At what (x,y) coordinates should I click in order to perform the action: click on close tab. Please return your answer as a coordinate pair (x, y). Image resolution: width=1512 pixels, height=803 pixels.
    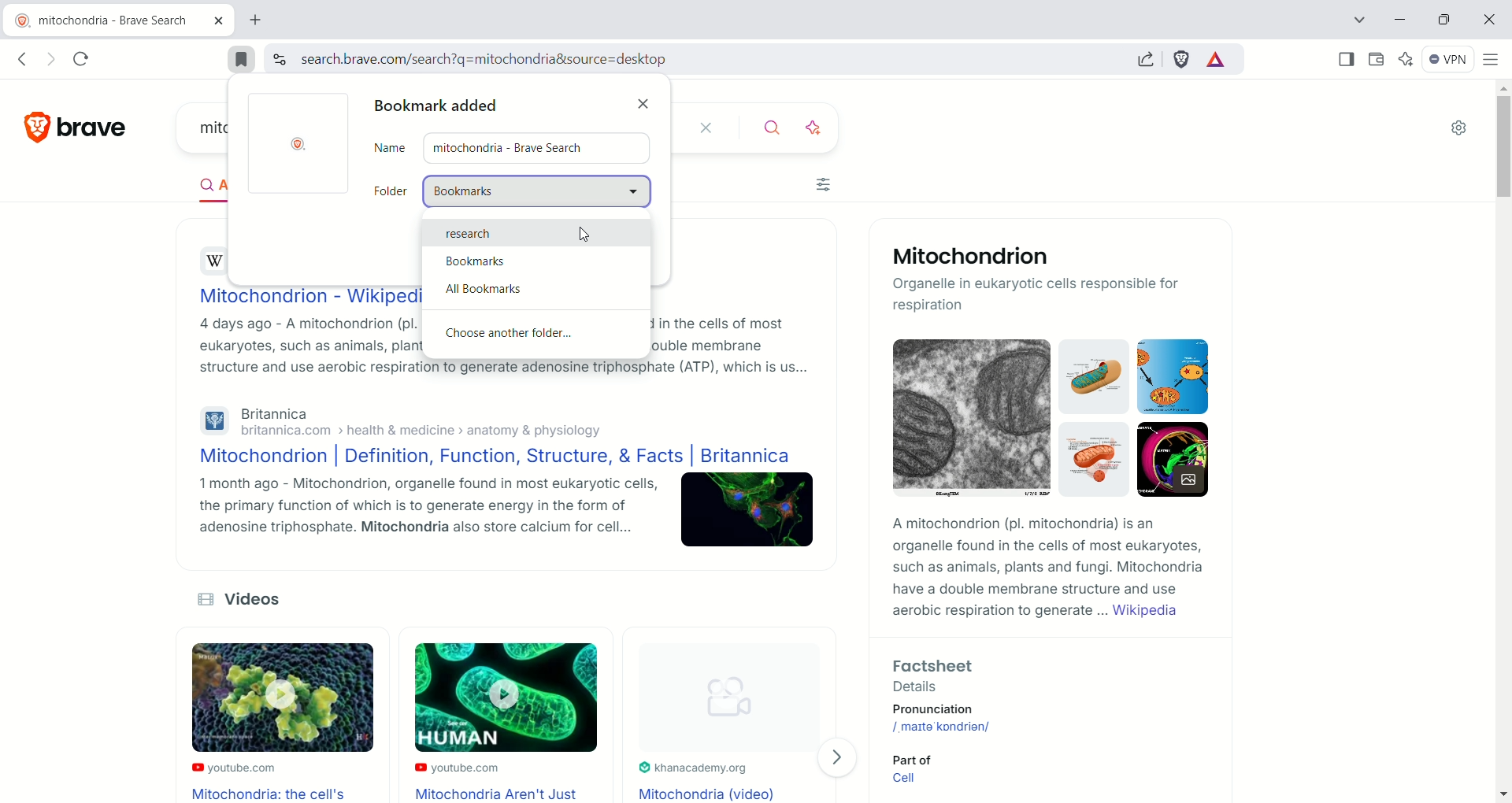
    Looking at the image, I should click on (218, 22).